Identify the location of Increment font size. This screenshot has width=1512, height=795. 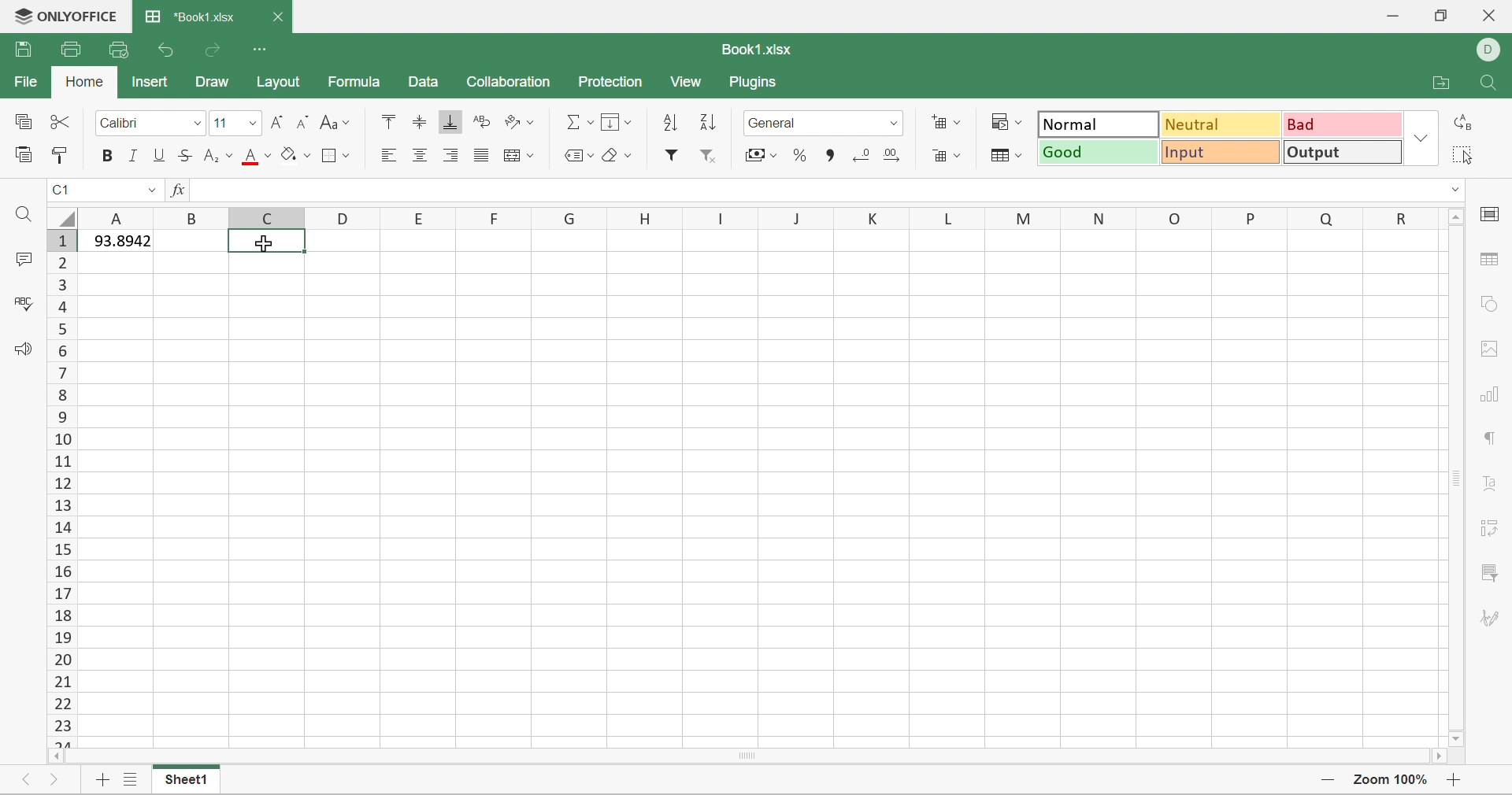
(279, 120).